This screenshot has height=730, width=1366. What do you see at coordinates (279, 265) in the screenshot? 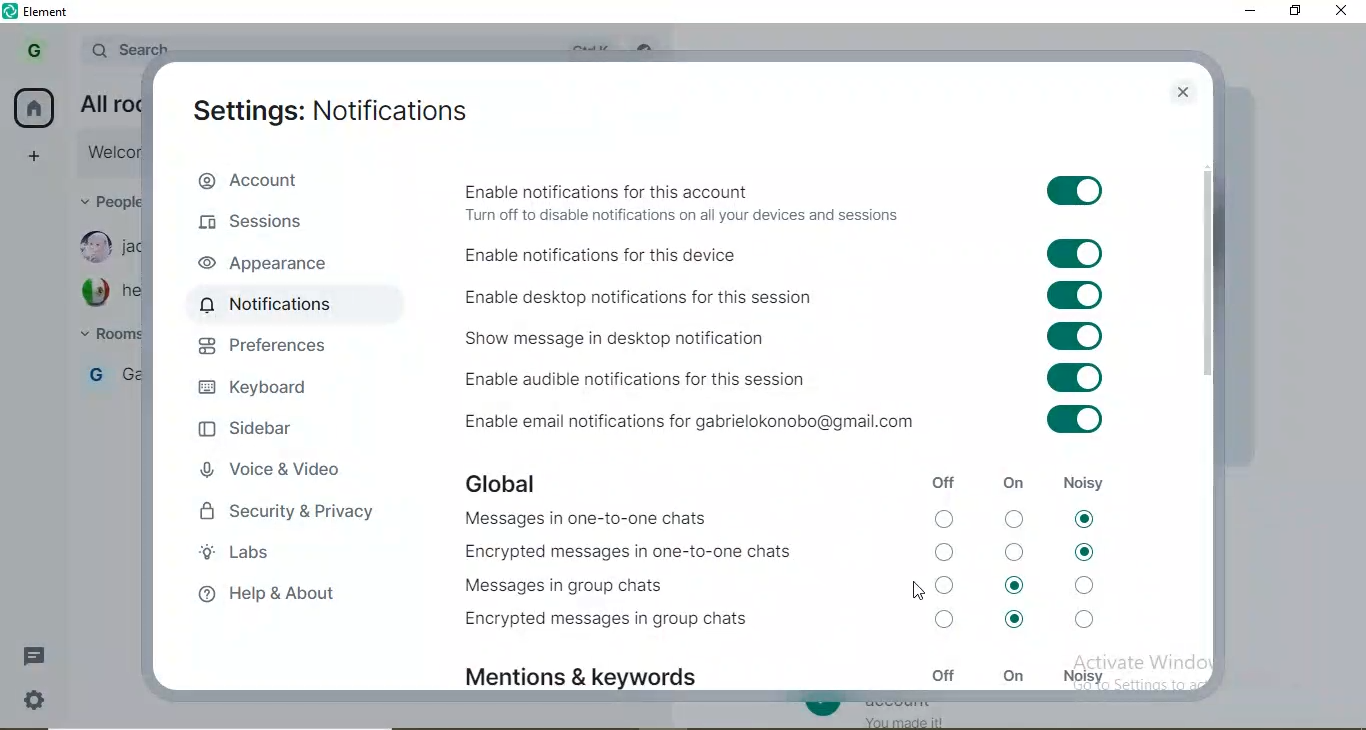
I see `appearances` at bounding box center [279, 265].